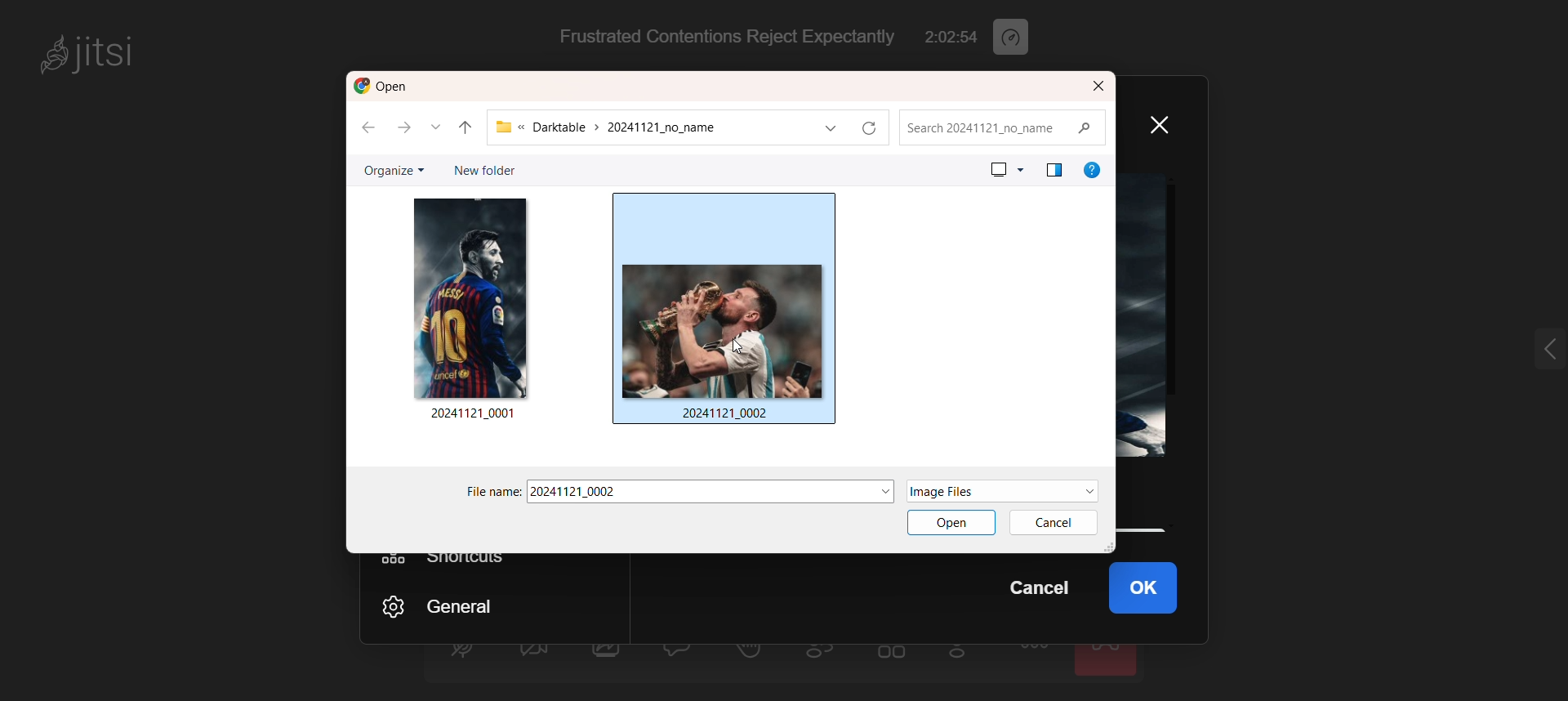  What do you see at coordinates (1086, 490) in the screenshot?
I see `dropdown` at bounding box center [1086, 490].